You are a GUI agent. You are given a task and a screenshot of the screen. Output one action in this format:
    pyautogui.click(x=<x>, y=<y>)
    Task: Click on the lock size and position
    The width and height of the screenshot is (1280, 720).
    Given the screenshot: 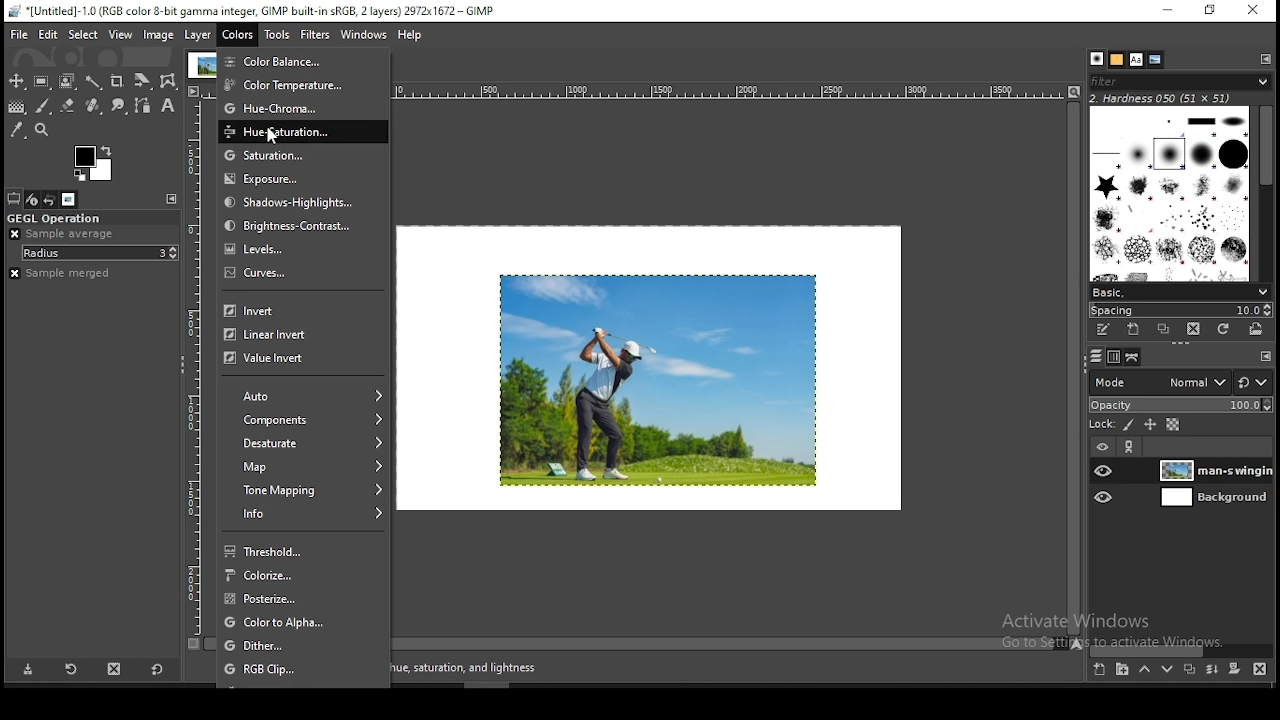 What is the action you would take?
    pyautogui.click(x=1151, y=425)
    